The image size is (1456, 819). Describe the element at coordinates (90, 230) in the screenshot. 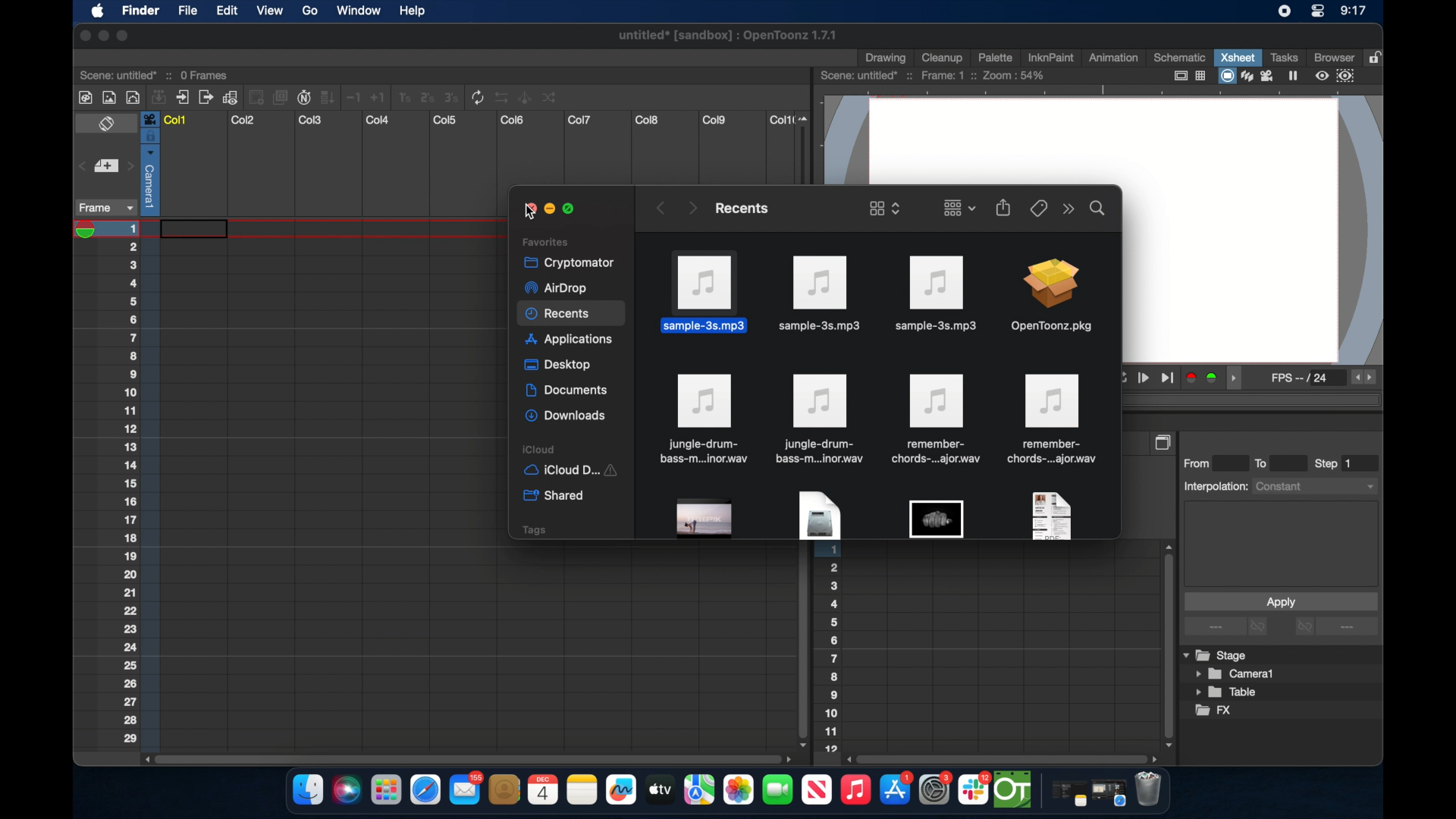

I see `playhead` at that location.